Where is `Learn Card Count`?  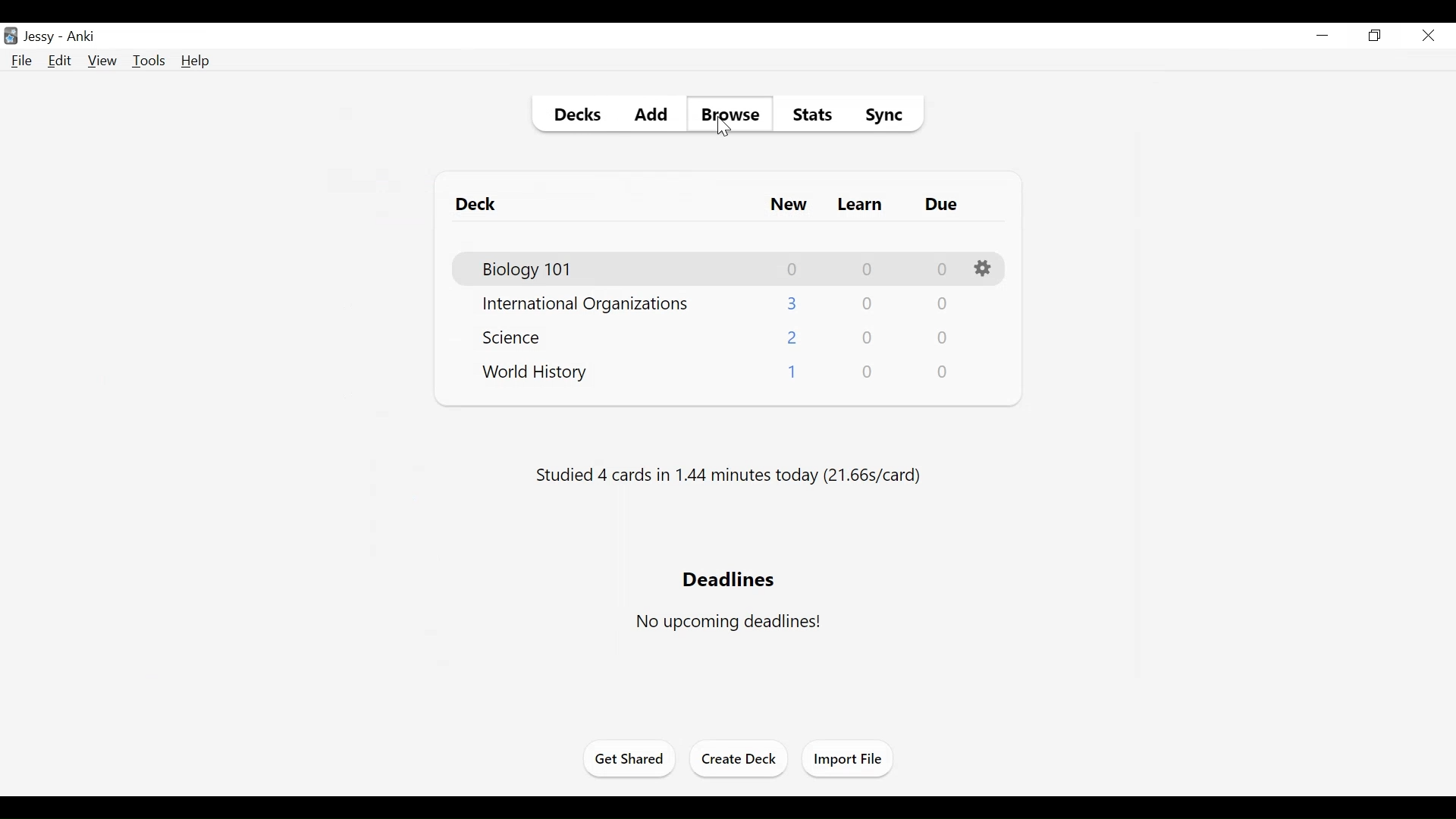
Learn Card Count is located at coordinates (868, 337).